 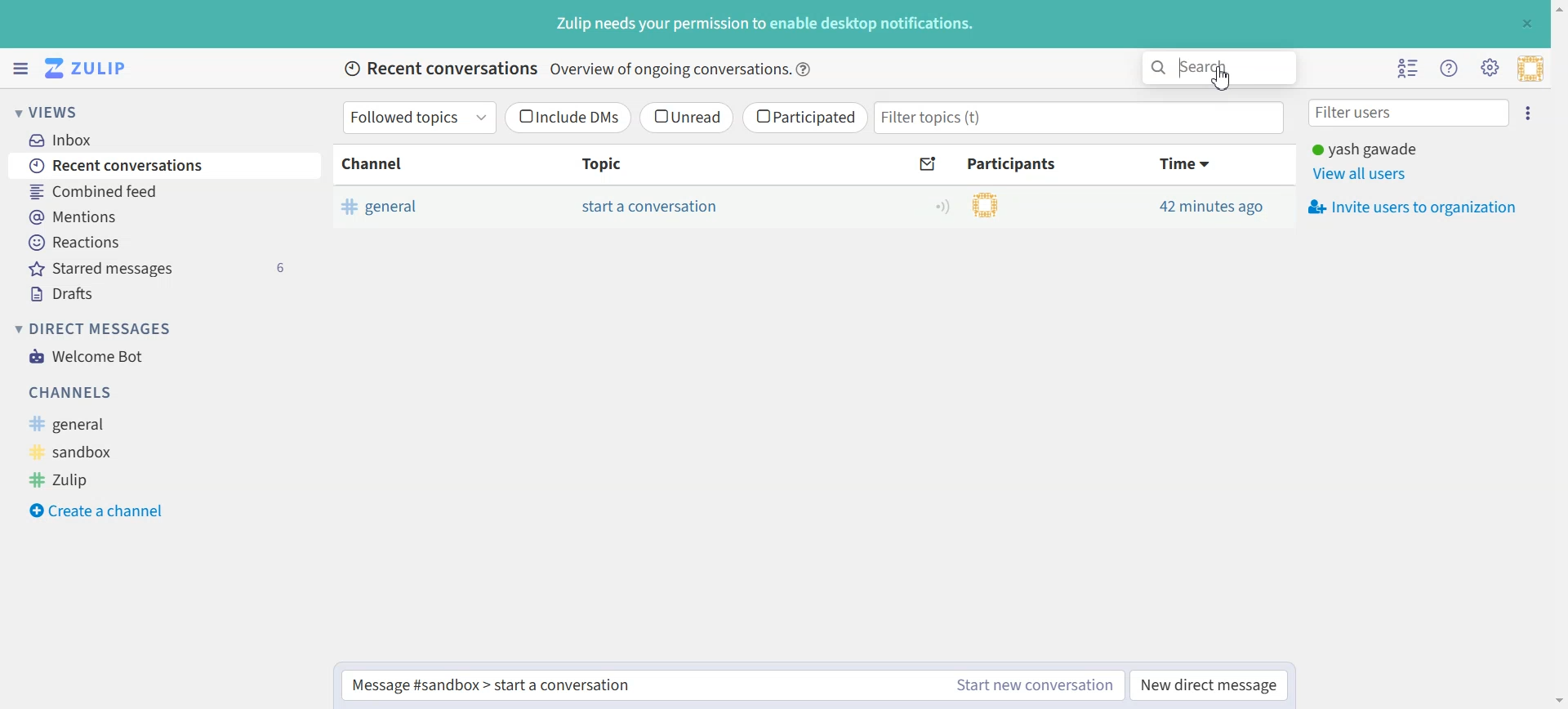 What do you see at coordinates (1530, 69) in the screenshot?
I see `Personal Menu` at bounding box center [1530, 69].